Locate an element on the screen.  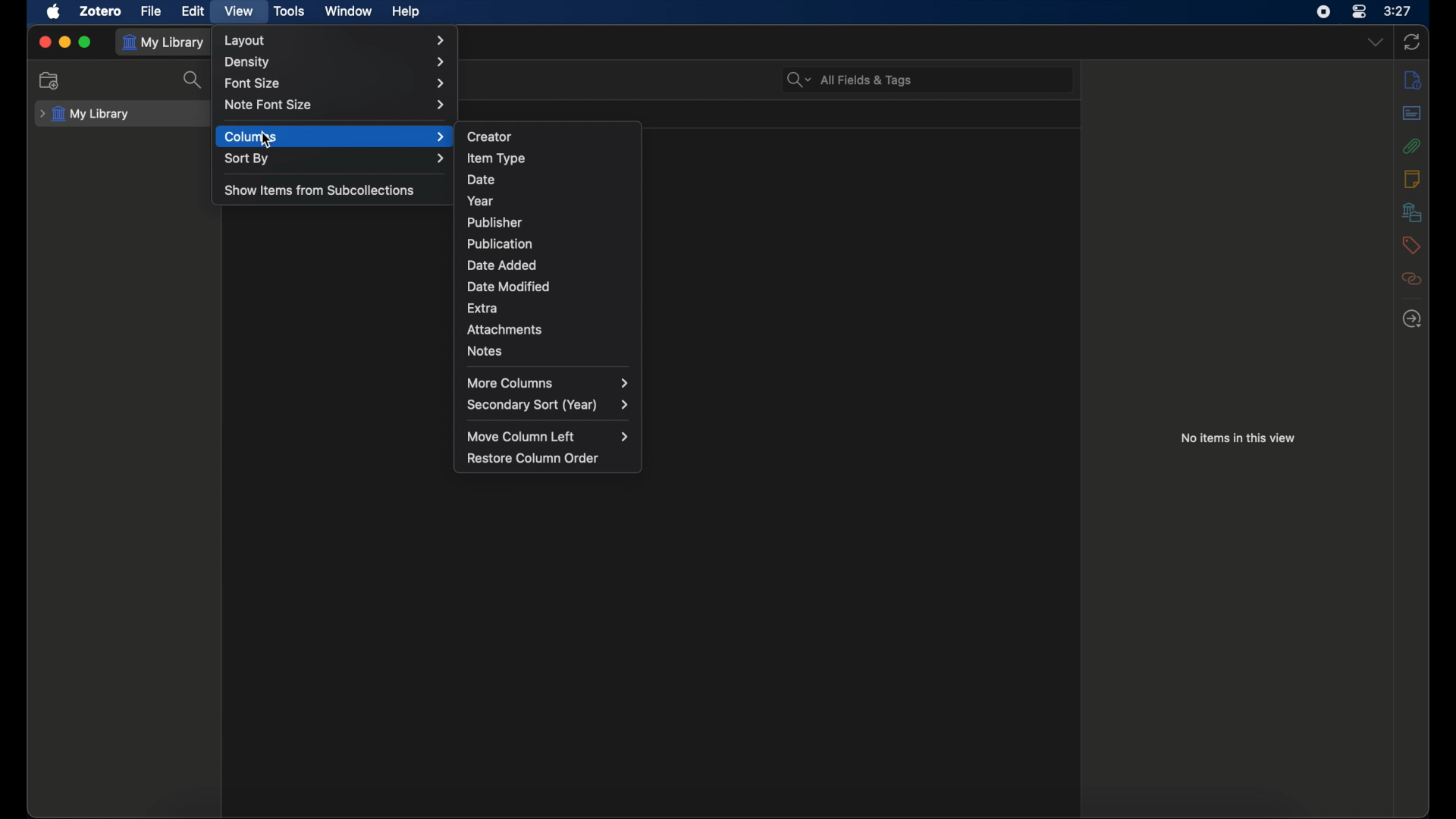
edit is located at coordinates (191, 11).